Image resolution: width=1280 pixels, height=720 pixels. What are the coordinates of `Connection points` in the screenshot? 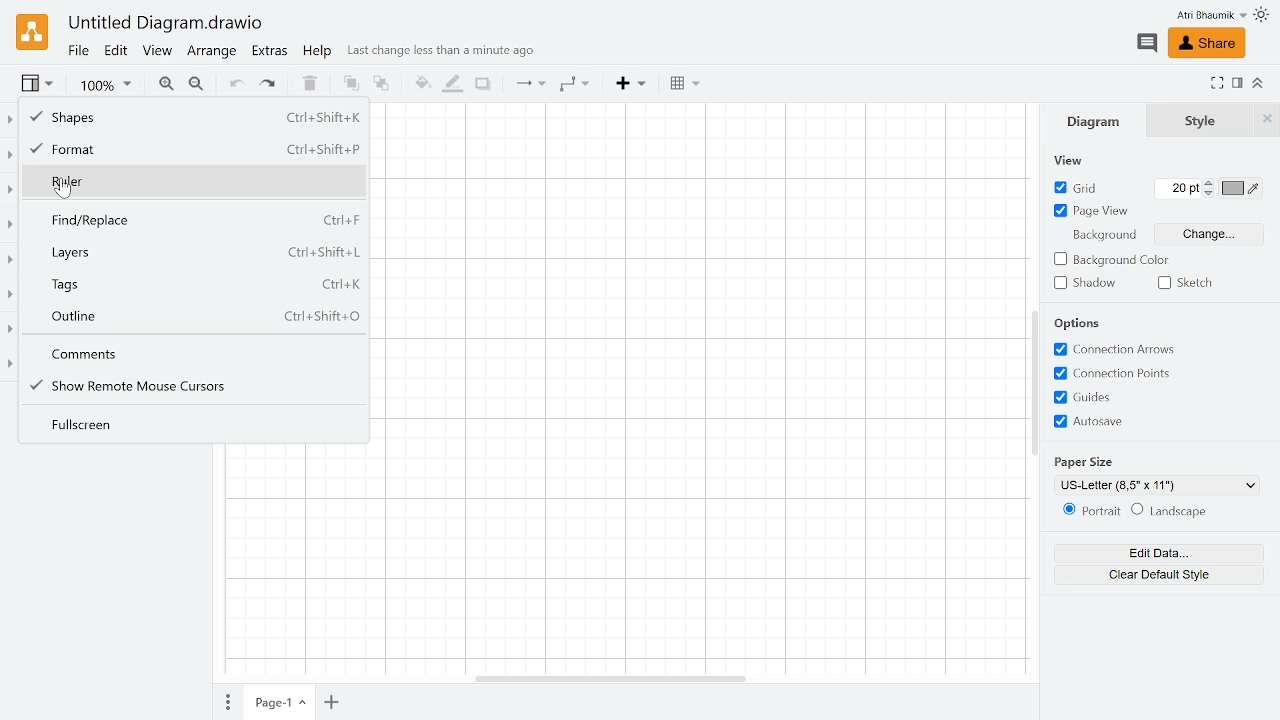 It's located at (1121, 373).